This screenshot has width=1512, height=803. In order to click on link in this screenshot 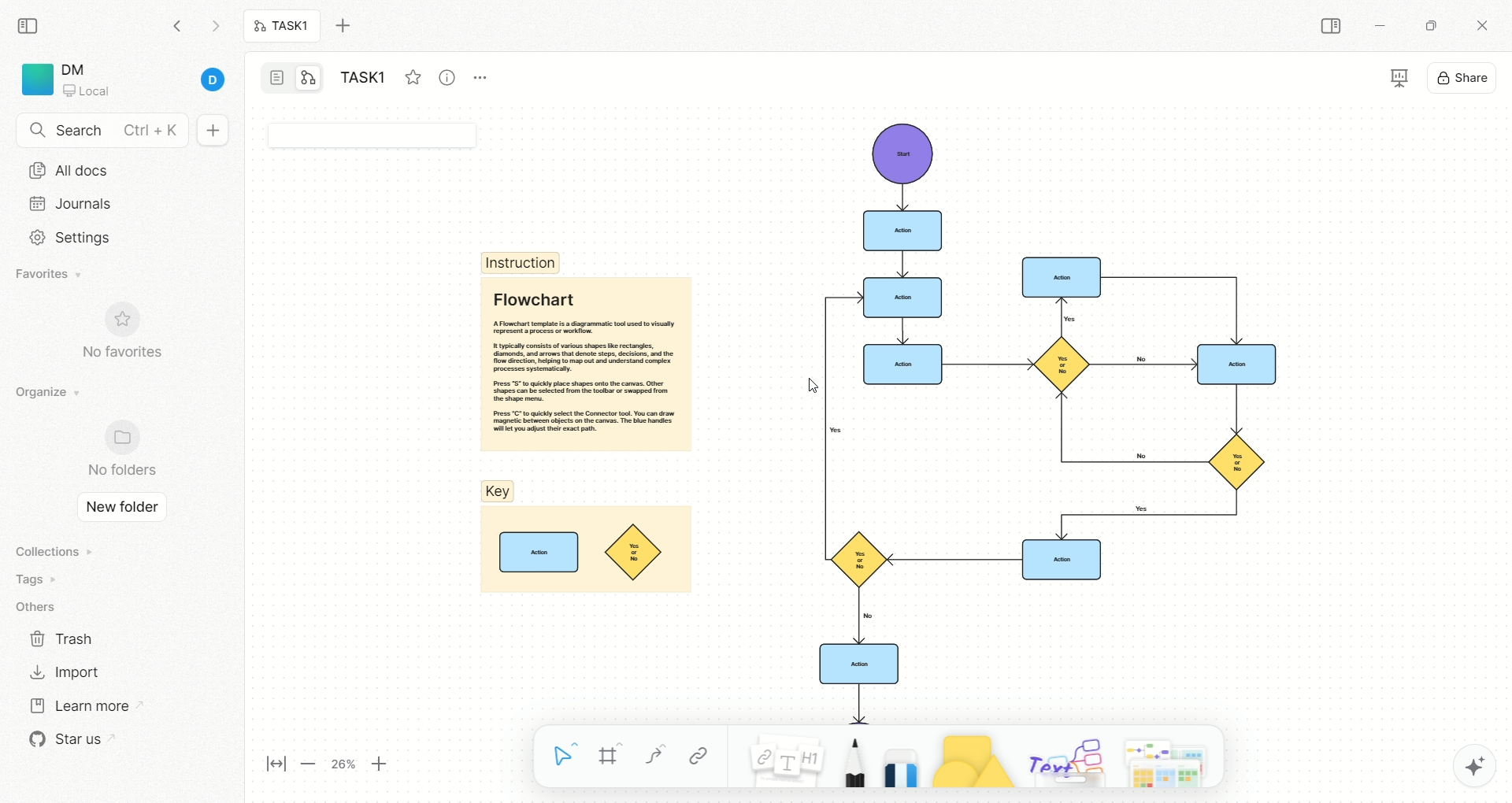, I will do `click(699, 756)`.